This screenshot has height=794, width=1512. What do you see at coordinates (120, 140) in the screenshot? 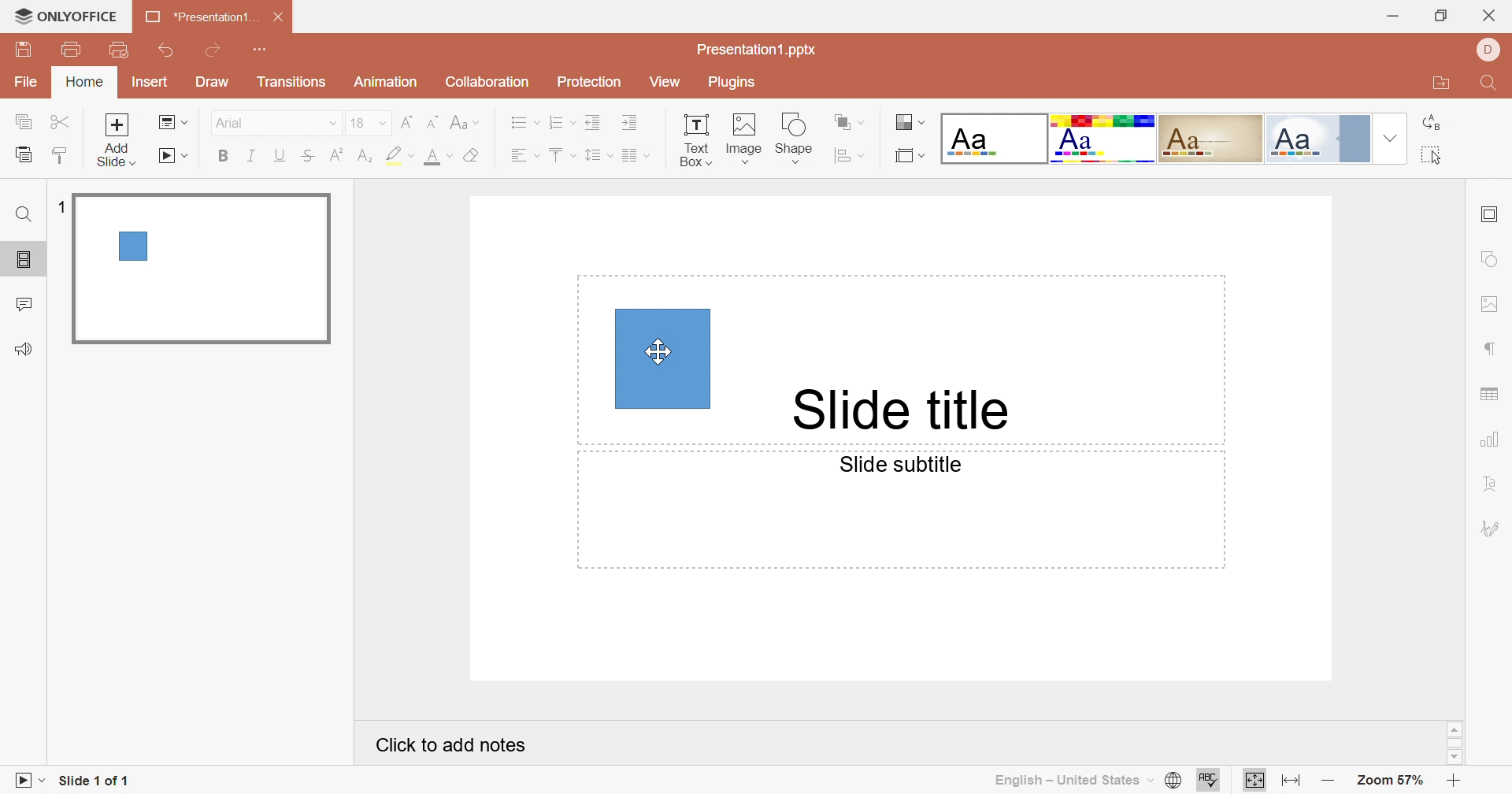
I see `Add Slide` at bounding box center [120, 140].